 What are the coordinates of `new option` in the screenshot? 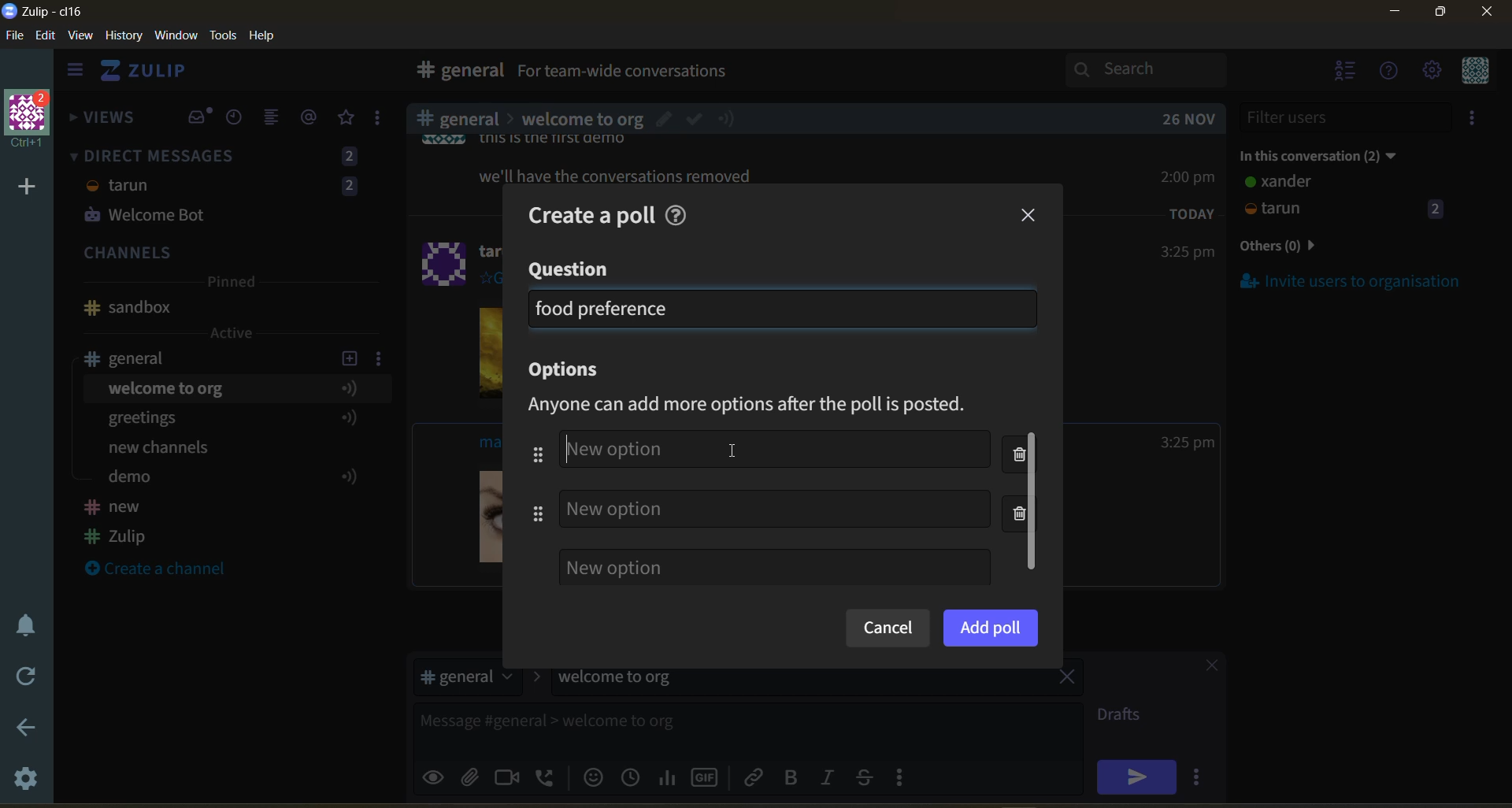 It's located at (778, 450).